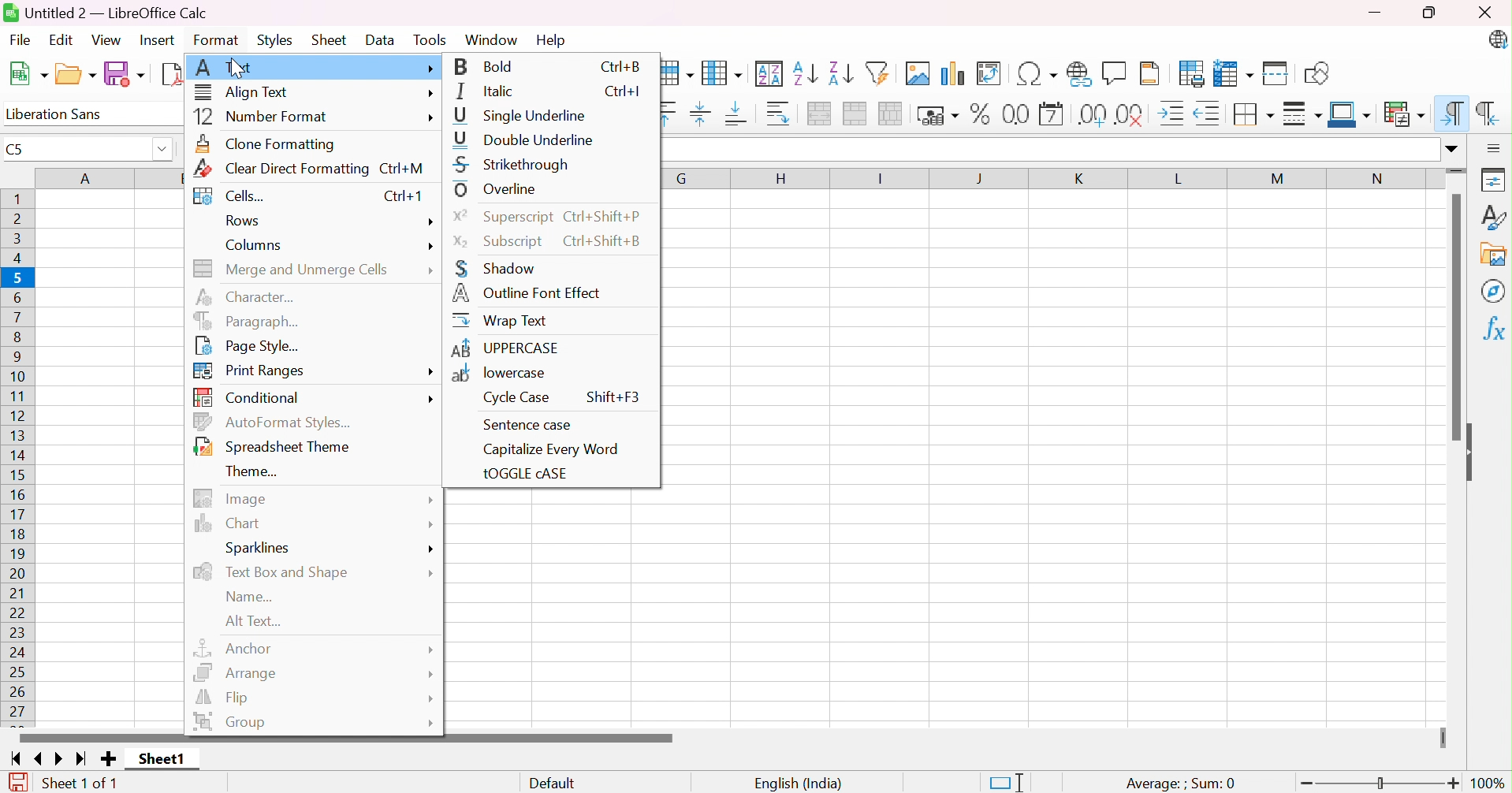  Describe the element at coordinates (517, 398) in the screenshot. I see `Cycle Case` at that location.